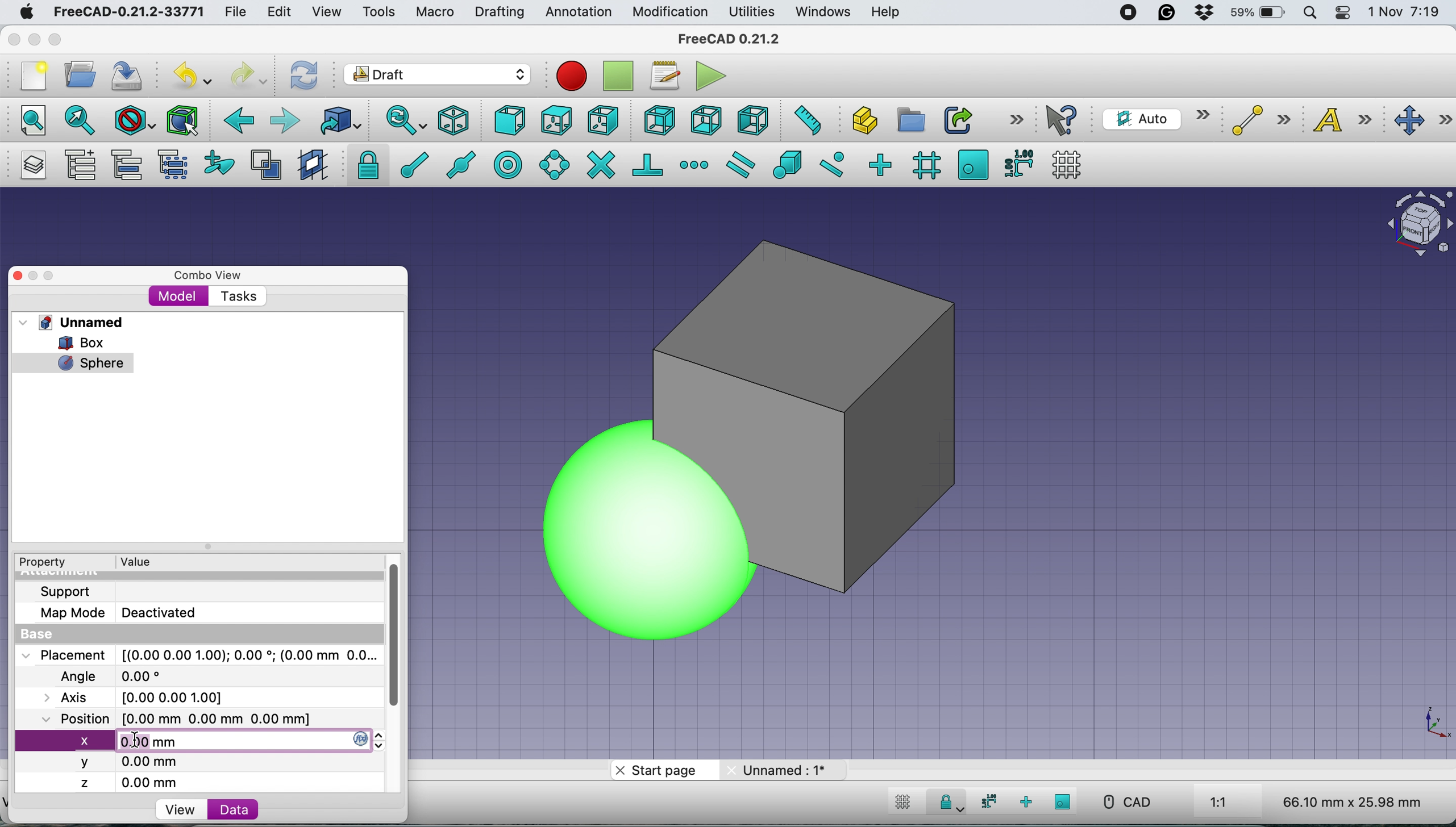 The image size is (1456, 827). What do you see at coordinates (30, 76) in the screenshot?
I see `new` at bounding box center [30, 76].